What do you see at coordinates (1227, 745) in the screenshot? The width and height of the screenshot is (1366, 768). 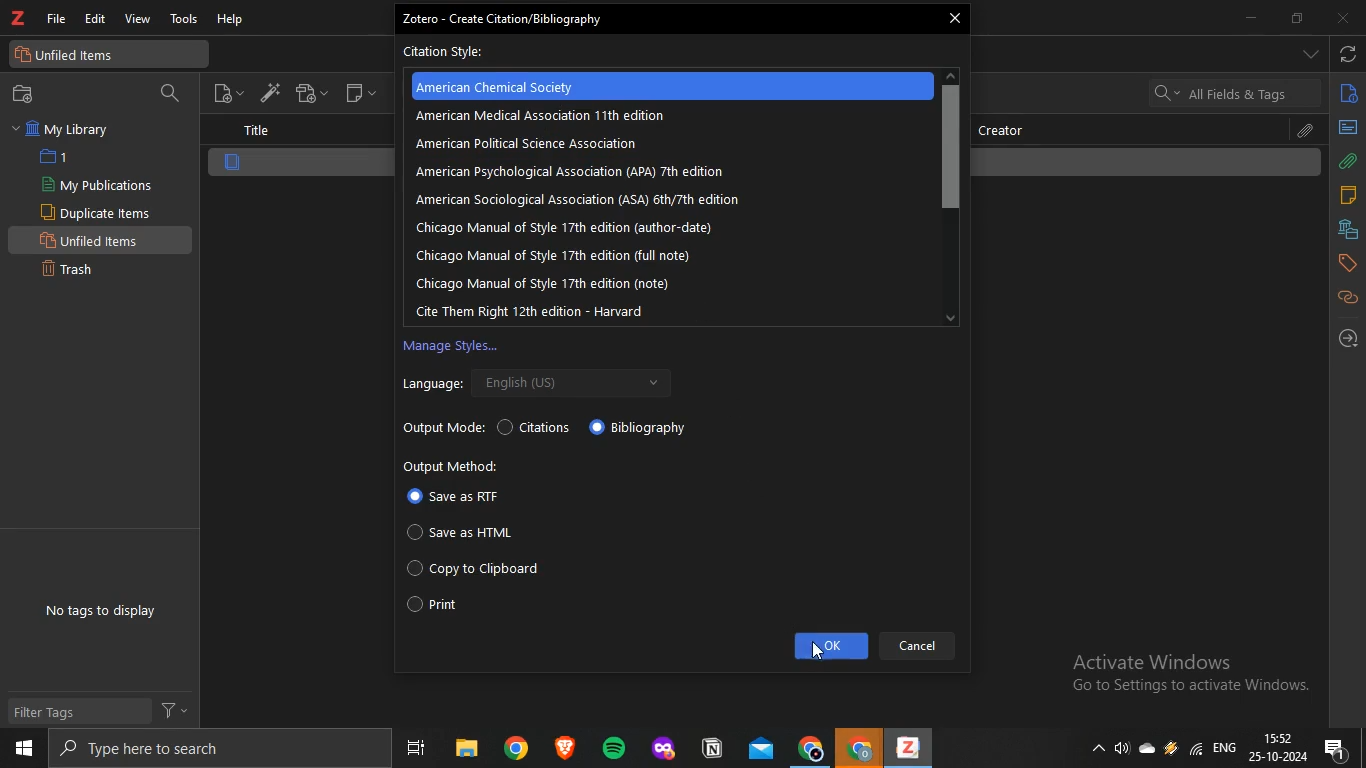 I see `eng` at bounding box center [1227, 745].